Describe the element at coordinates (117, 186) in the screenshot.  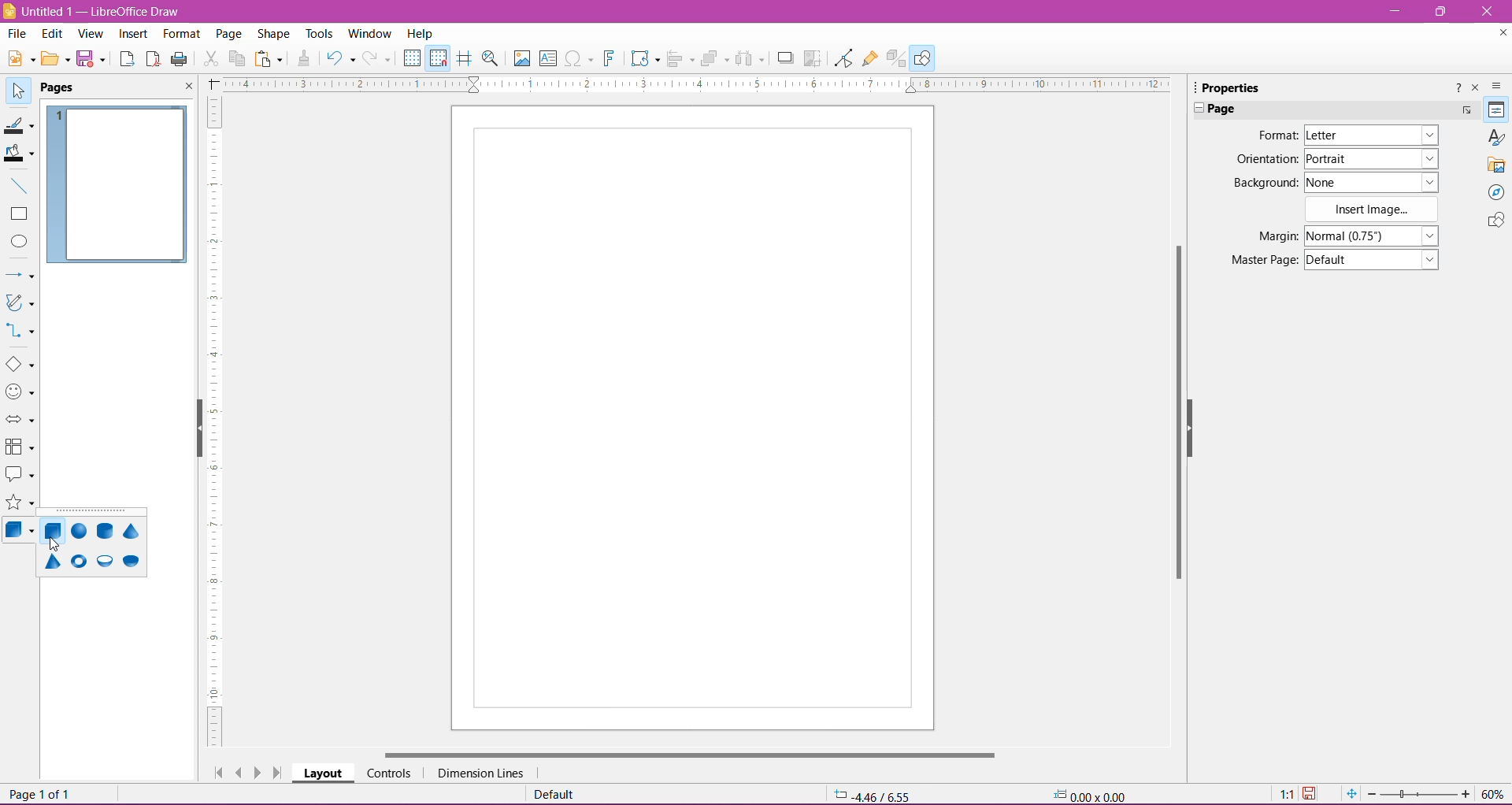
I see `Page 1` at that location.